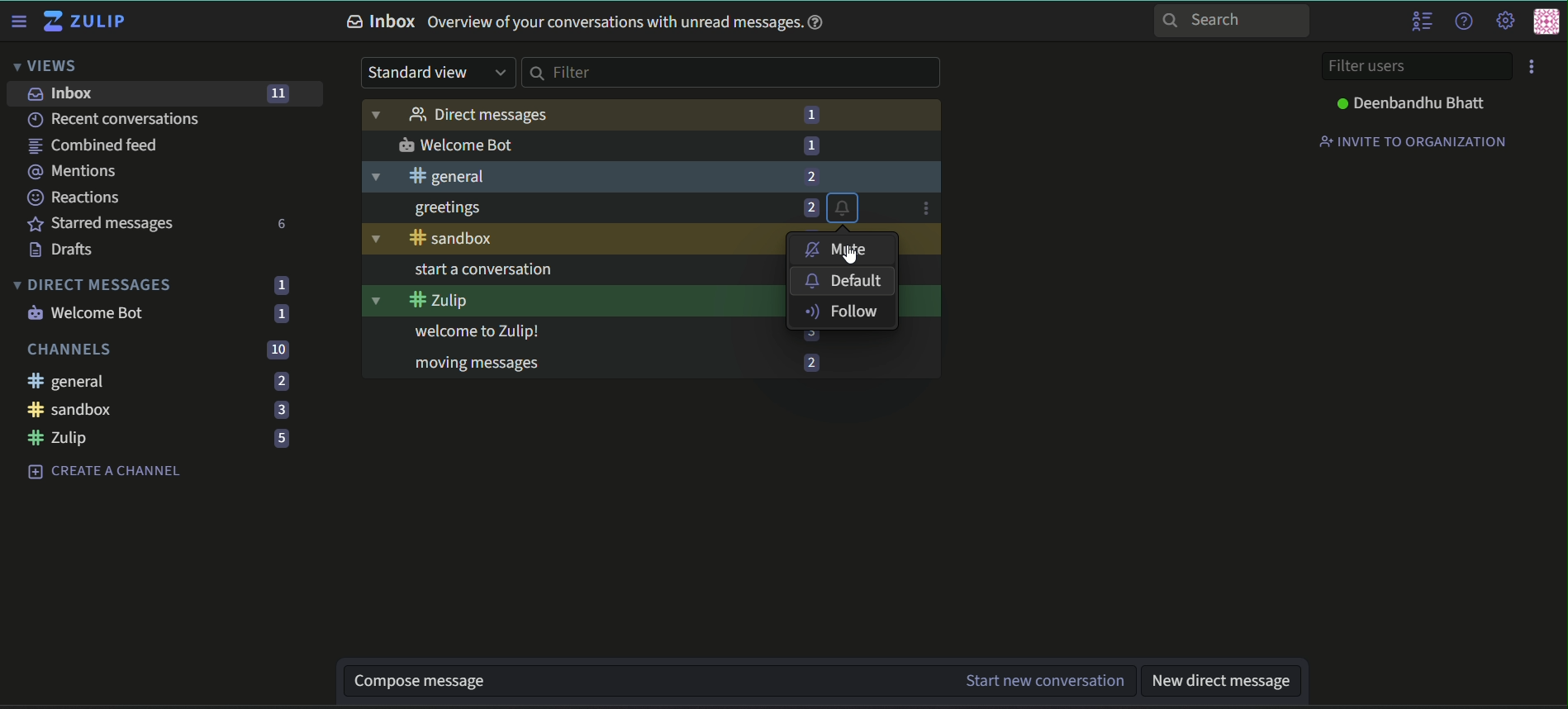 The height and width of the screenshot is (709, 1568). Describe the element at coordinates (1535, 67) in the screenshot. I see `menu` at that location.